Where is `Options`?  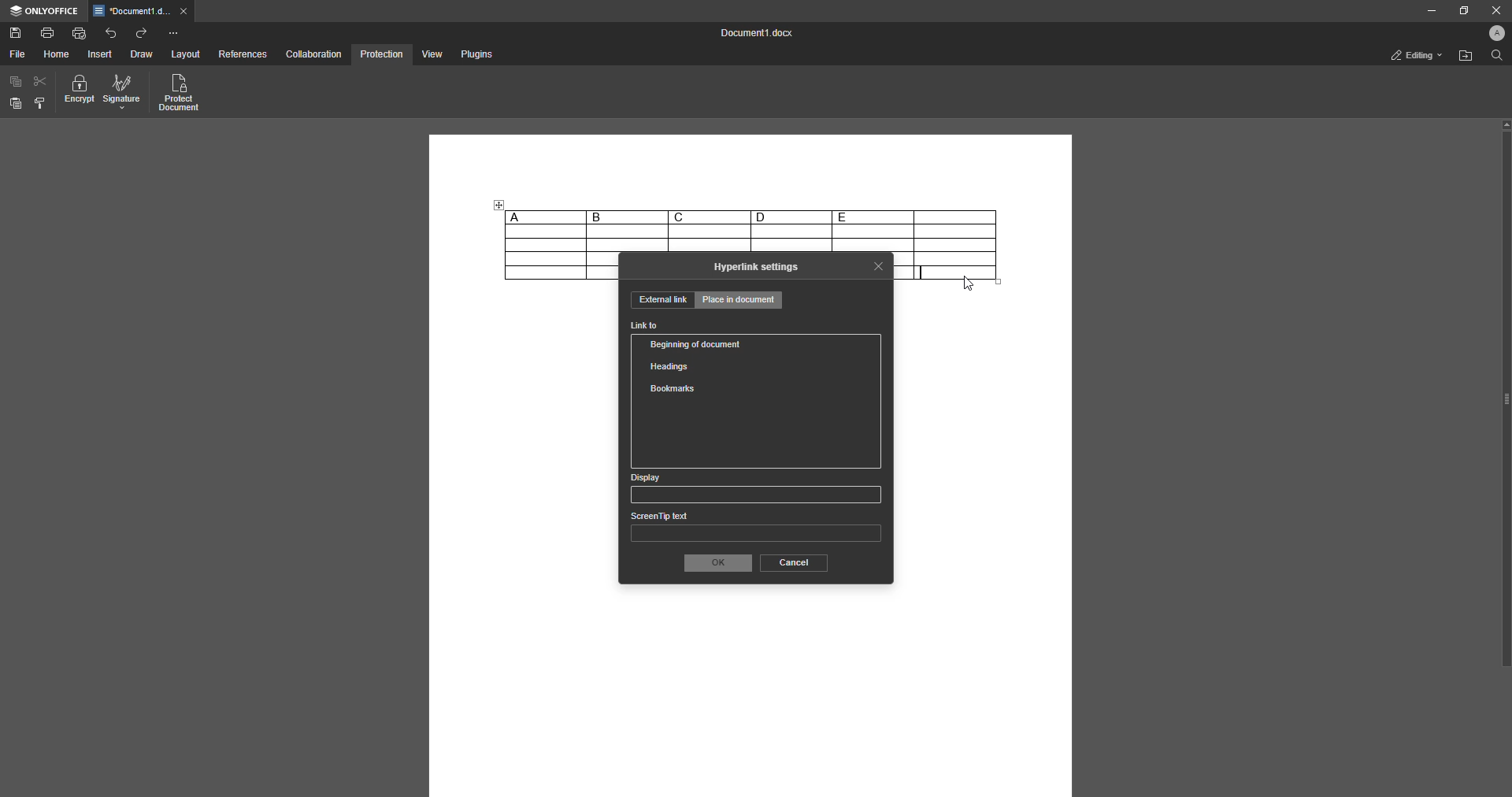
Options is located at coordinates (173, 33).